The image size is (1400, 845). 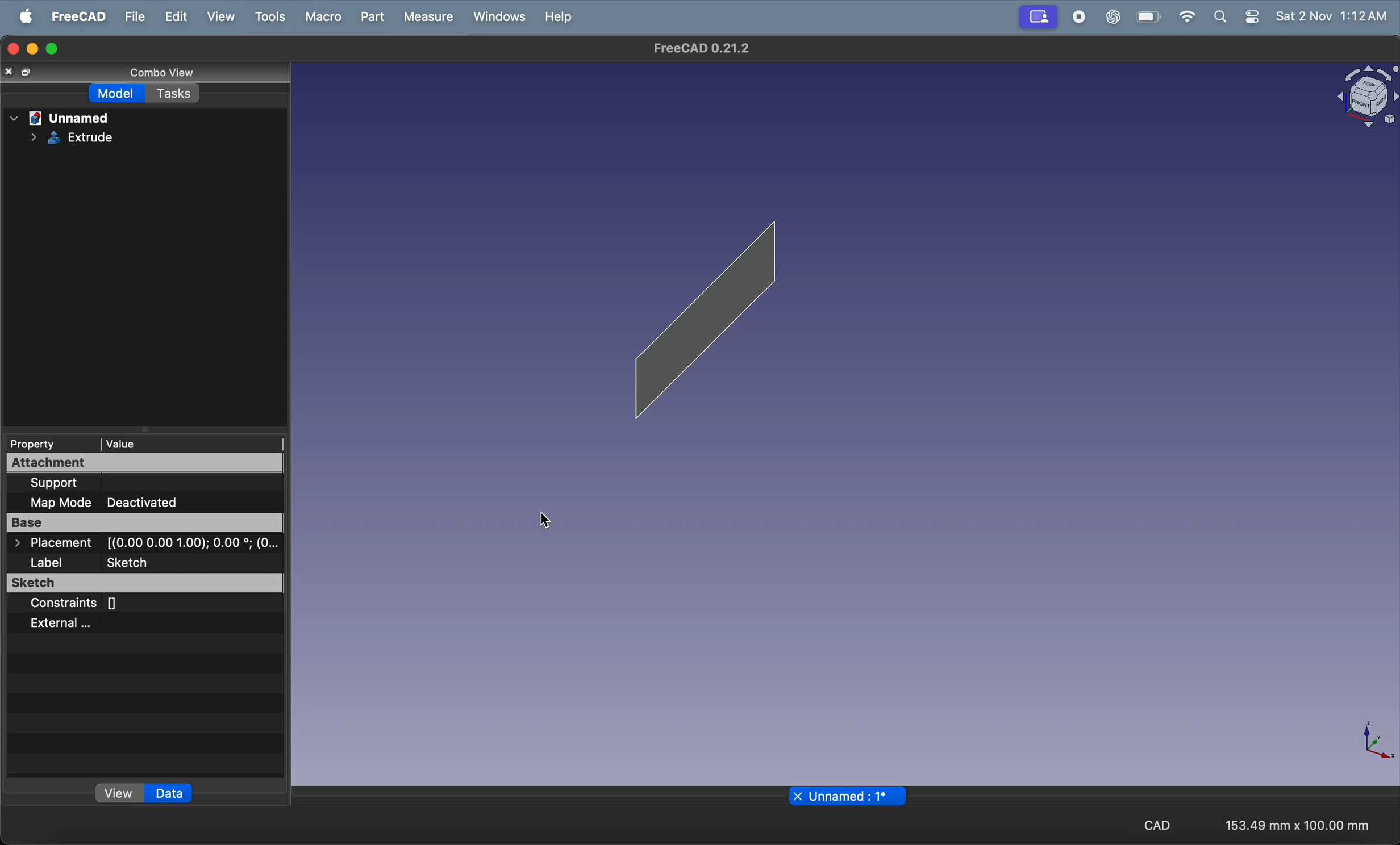 What do you see at coordinates (131, 563) in the screenshot?
I see `sketch` at bounding box center [131, 563].